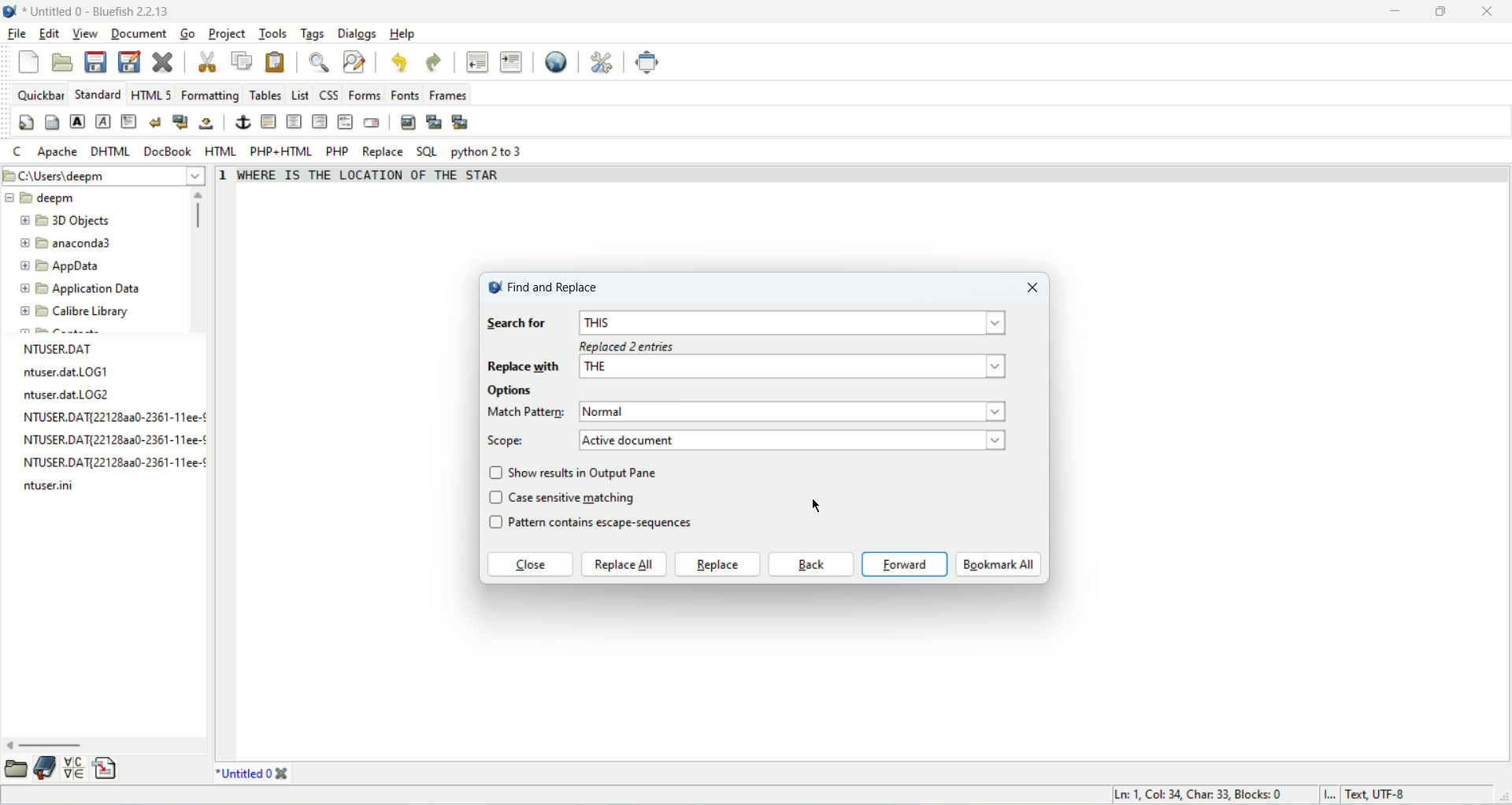 This screenshot has width=1512, height=805. I want to click on show results in Output pane, so click(587, 472).